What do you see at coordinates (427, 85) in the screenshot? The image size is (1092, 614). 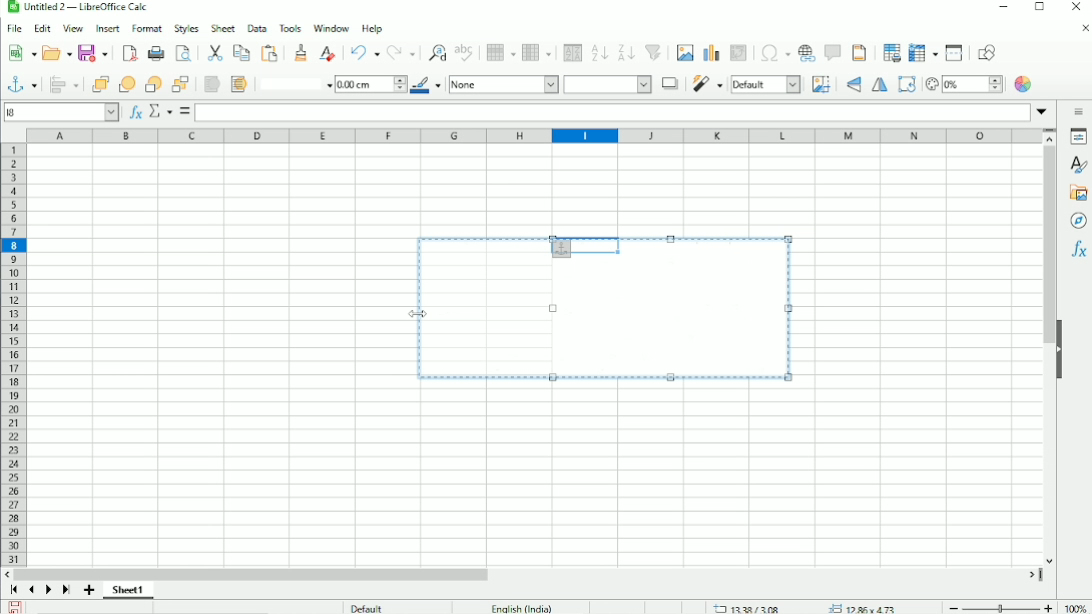 I see `Line color` at bounding box center [427, 85].